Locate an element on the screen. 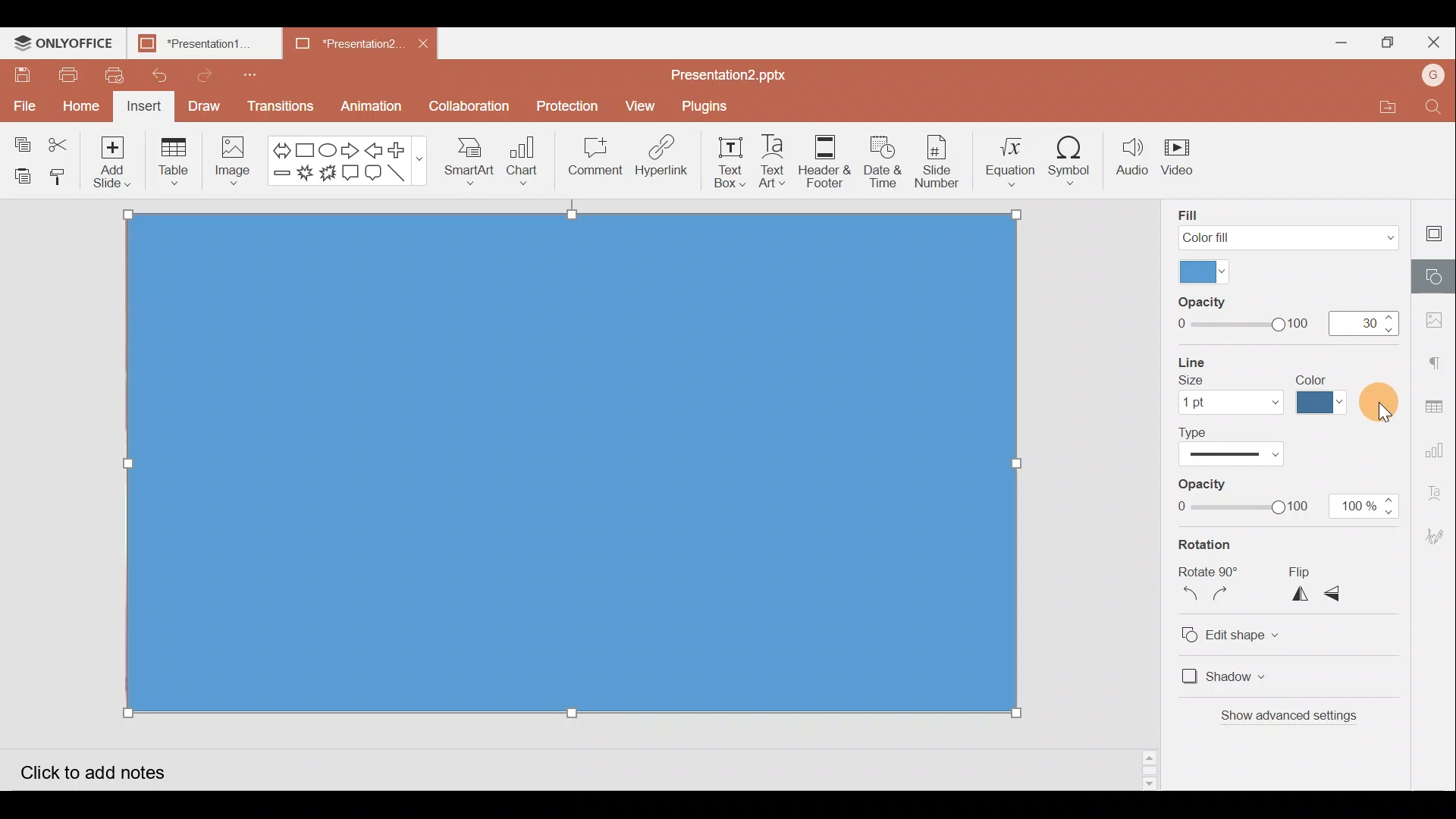 The height and width of the screenshot is (819, 1456). Flip is located at coordinates (1320, 570).